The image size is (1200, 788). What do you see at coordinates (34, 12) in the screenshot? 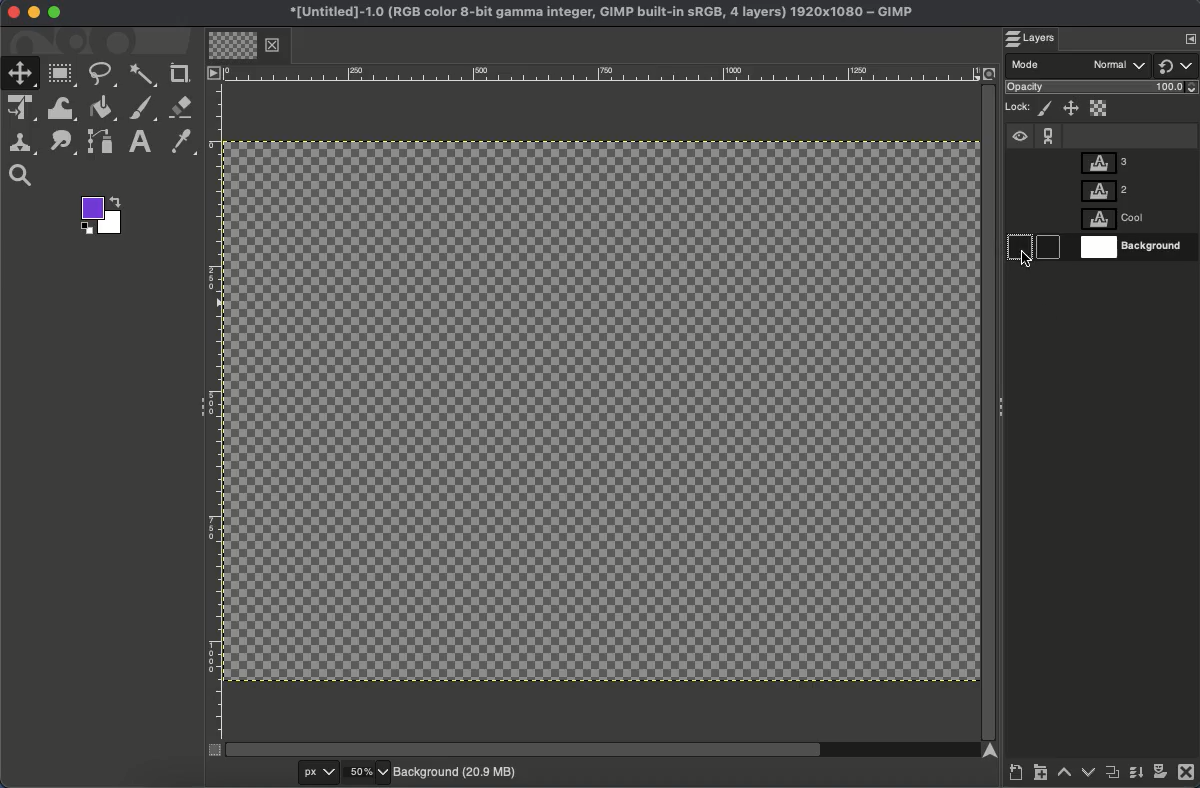
I see `Minimize` at bounding box center [34, 12].